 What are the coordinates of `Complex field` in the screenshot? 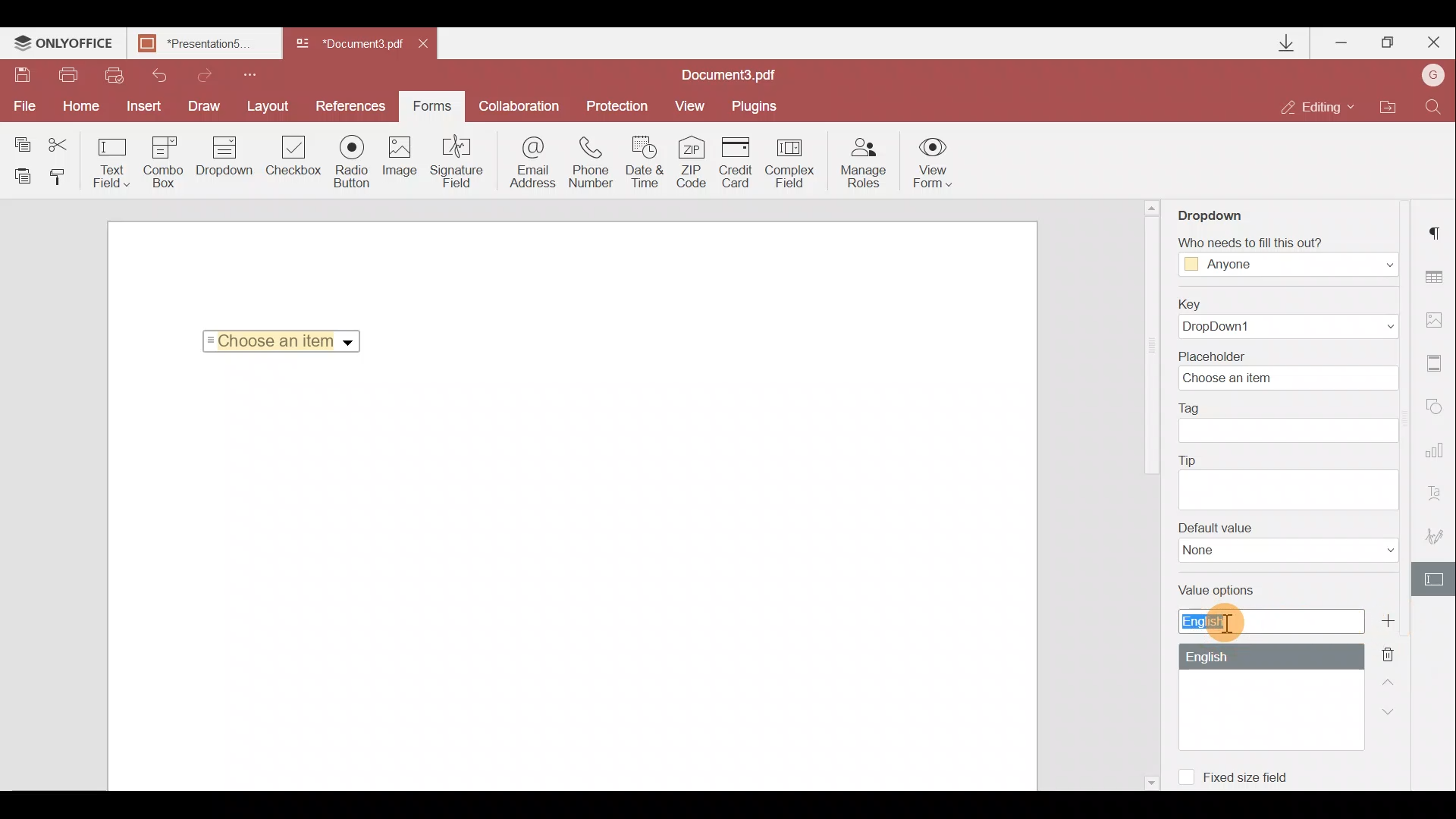 It's located at (792, 162).